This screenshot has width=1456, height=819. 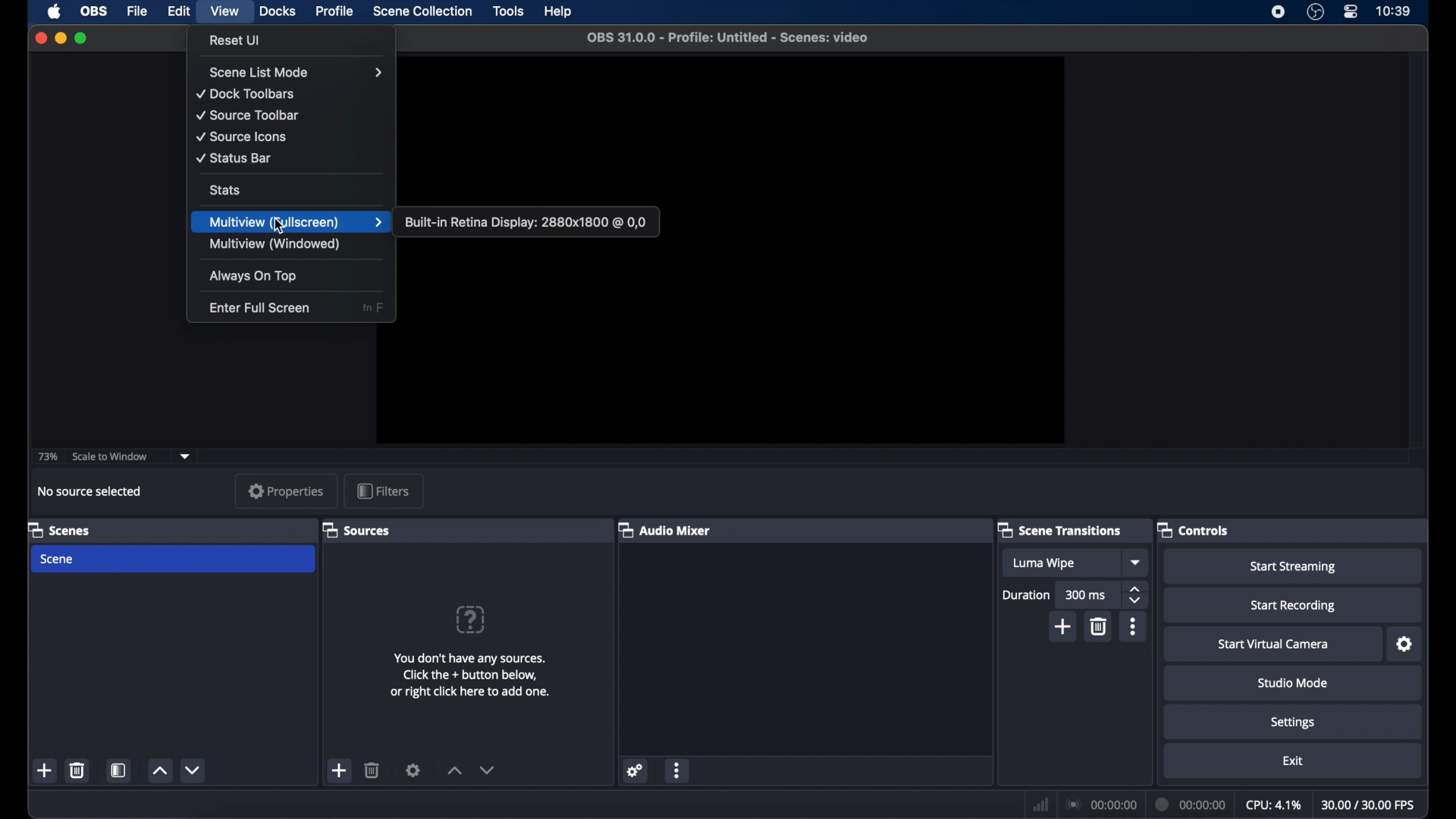 I want to click on delete, so click(x=1097, y=626).